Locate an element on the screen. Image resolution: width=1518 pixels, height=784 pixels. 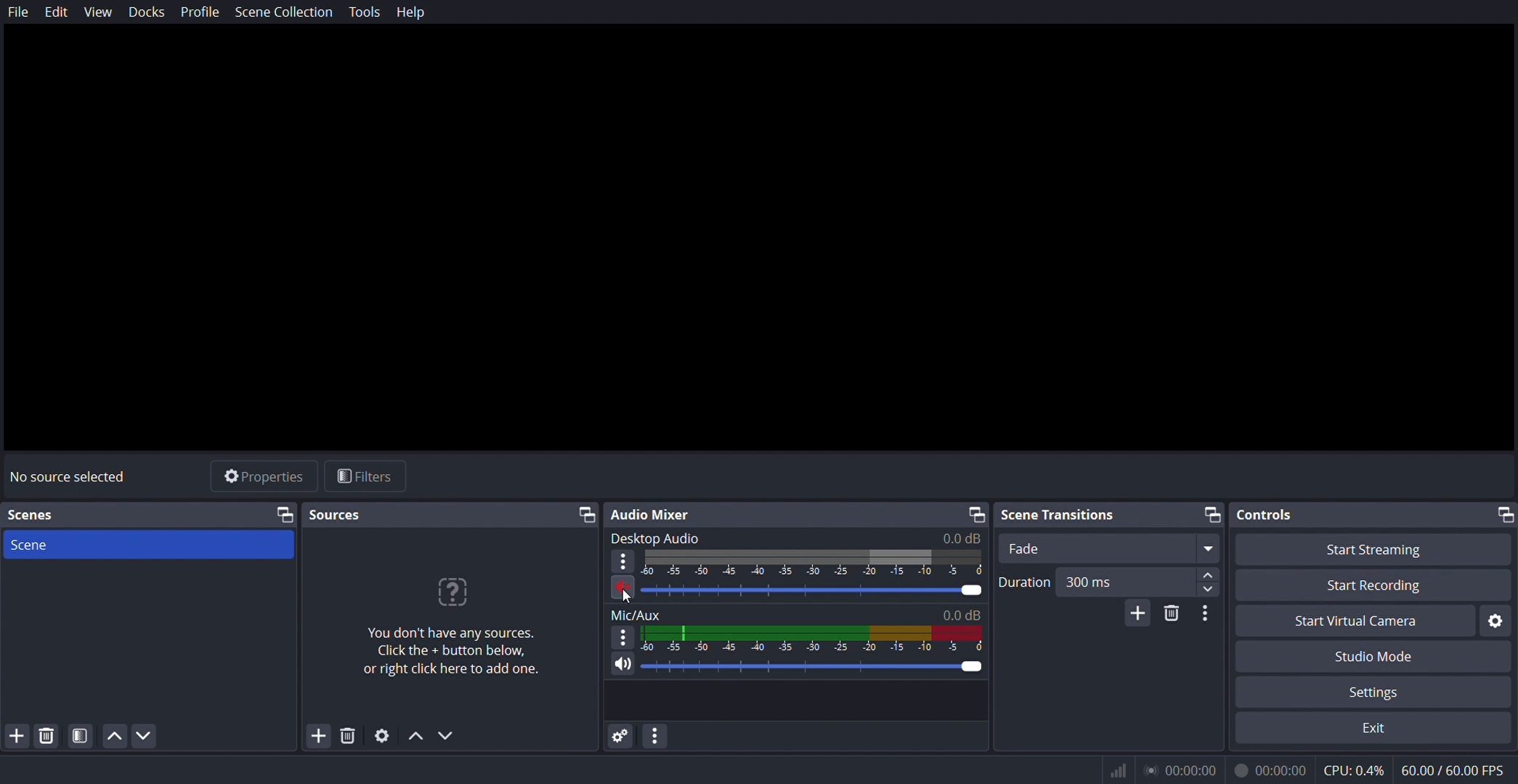
scene transitions is located at coordinates (1060, 512).